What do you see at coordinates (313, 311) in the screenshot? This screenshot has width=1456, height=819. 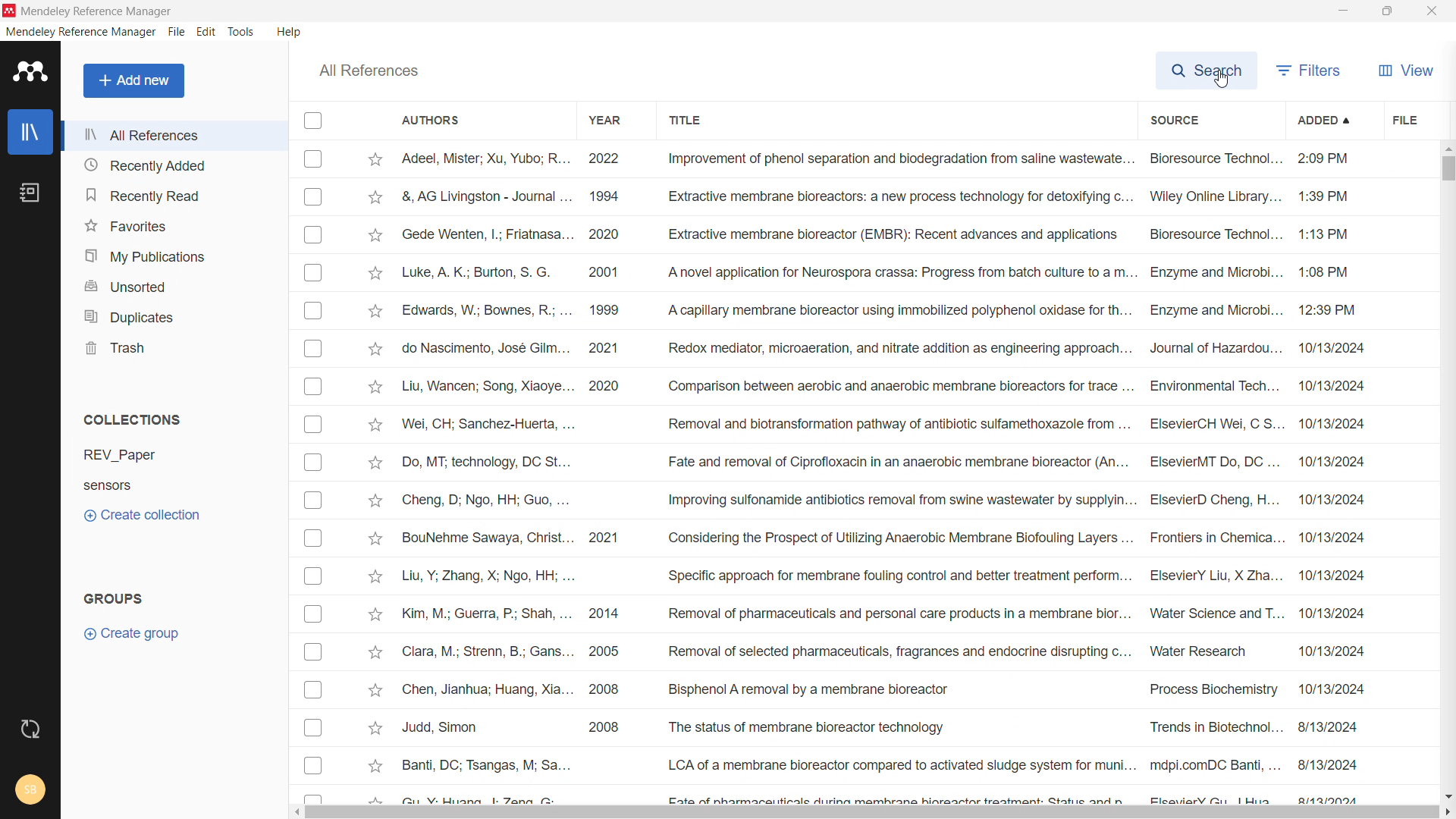 I see `Checkbox` at bounding box center [313, 311].